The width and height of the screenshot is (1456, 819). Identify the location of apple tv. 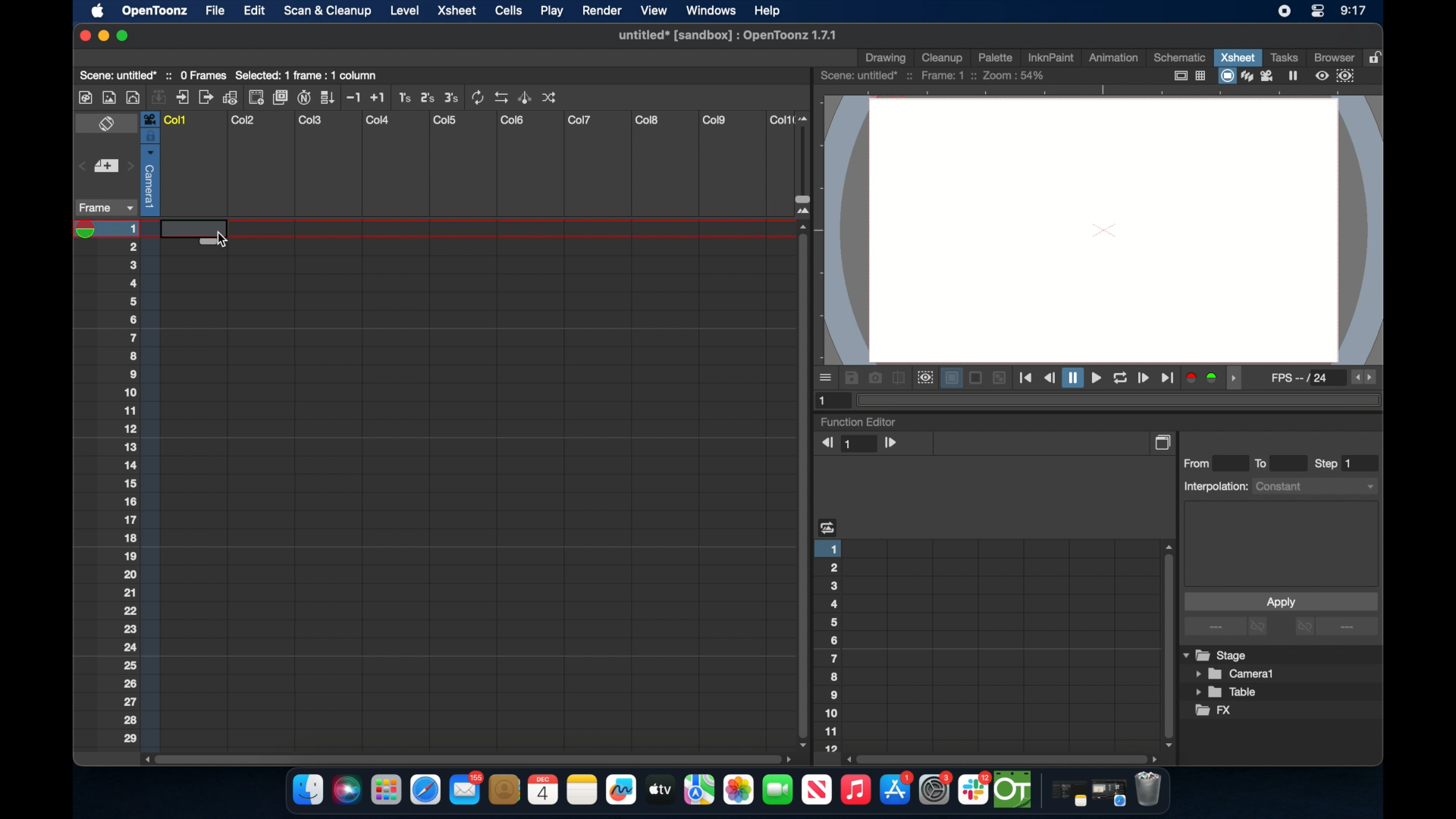
(816, 790).